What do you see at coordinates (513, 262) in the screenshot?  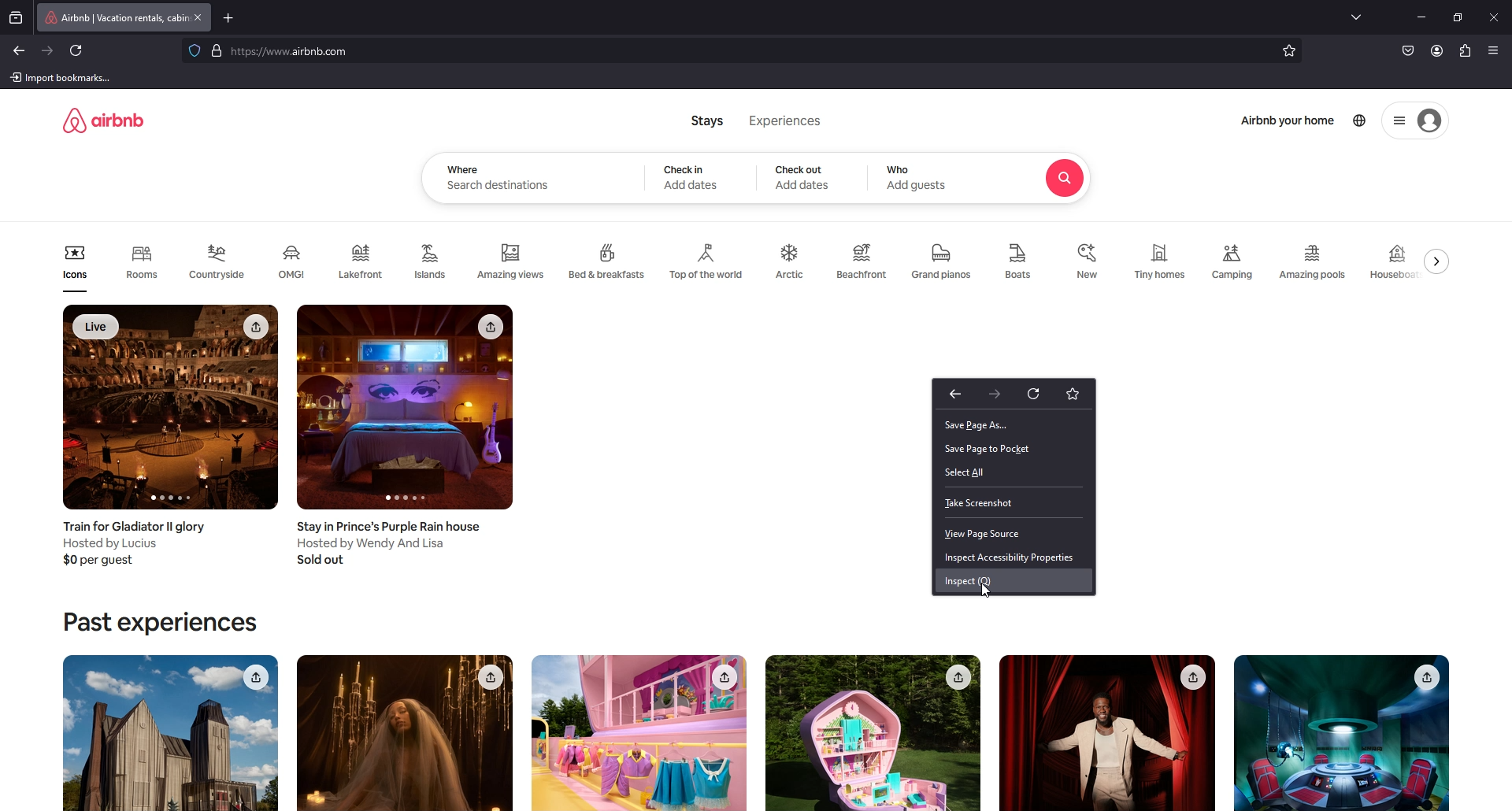 I see `Amazing views` at bounding box center [513, 262].